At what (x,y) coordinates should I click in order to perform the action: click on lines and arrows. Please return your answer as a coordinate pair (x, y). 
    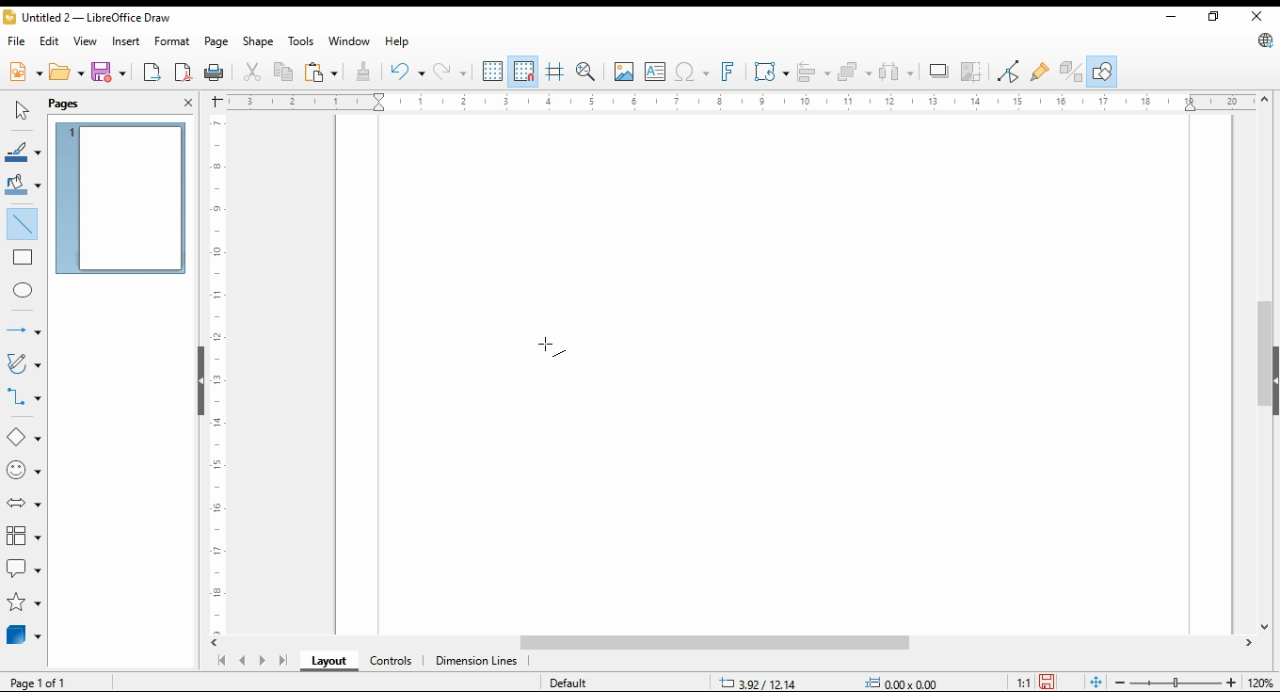
    Looking at the image, I should click on (23, 331).